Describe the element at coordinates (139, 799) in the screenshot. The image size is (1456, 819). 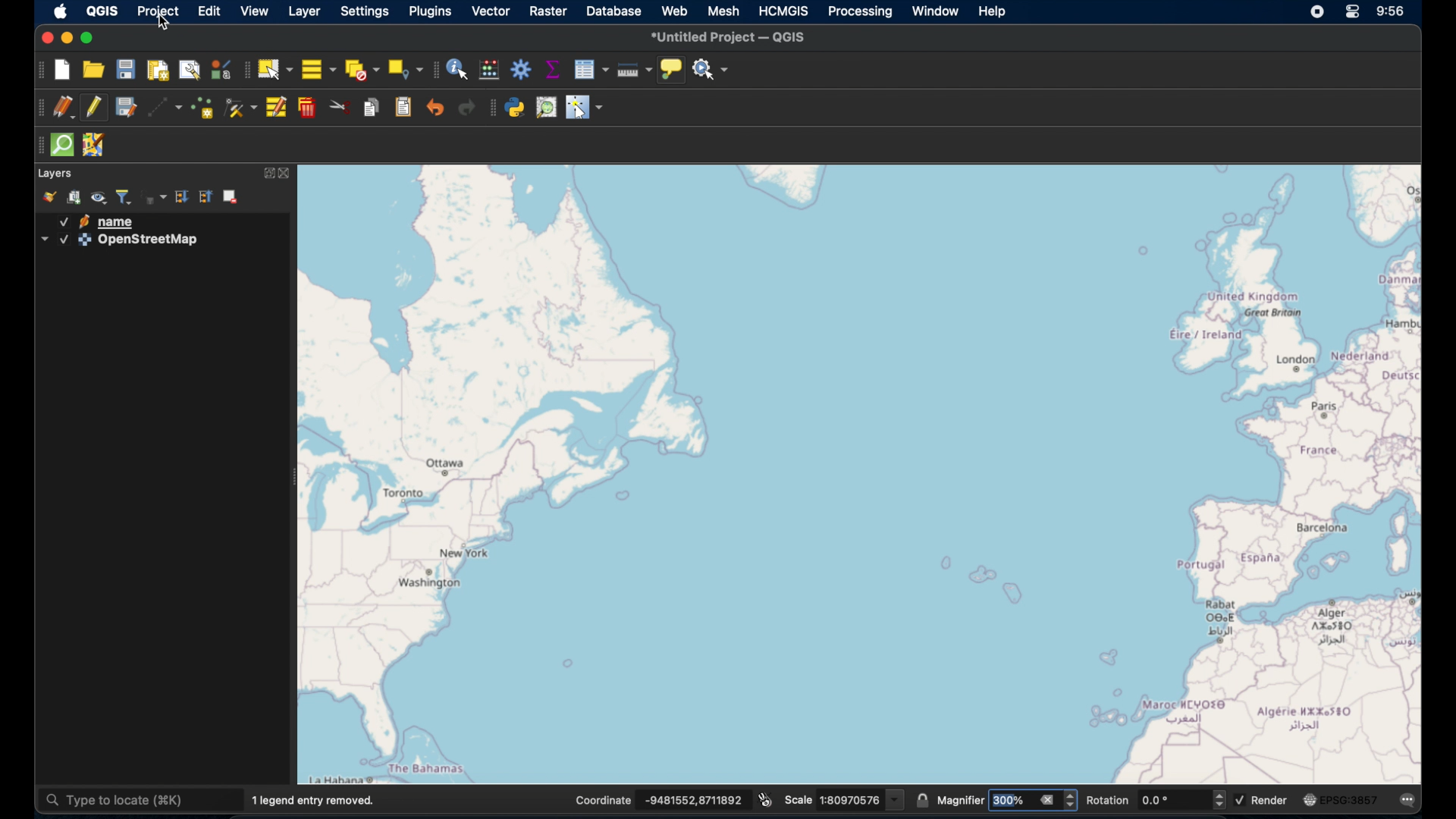
I see `type to locate` at that location.